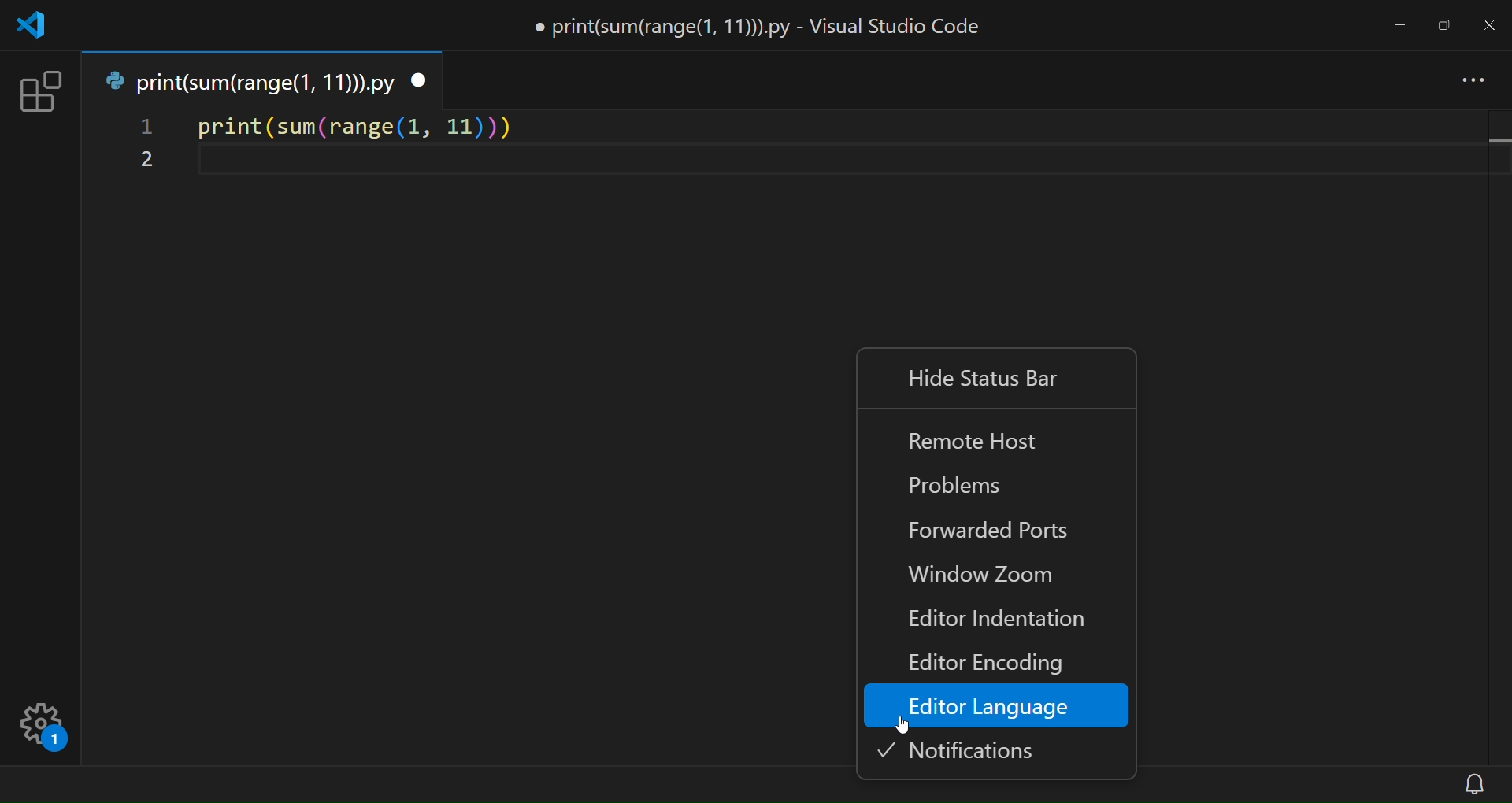  What do you see at coordinates (990, 662) in the screenshot?
I see `editor encoding` at bounding box center [990, 662].